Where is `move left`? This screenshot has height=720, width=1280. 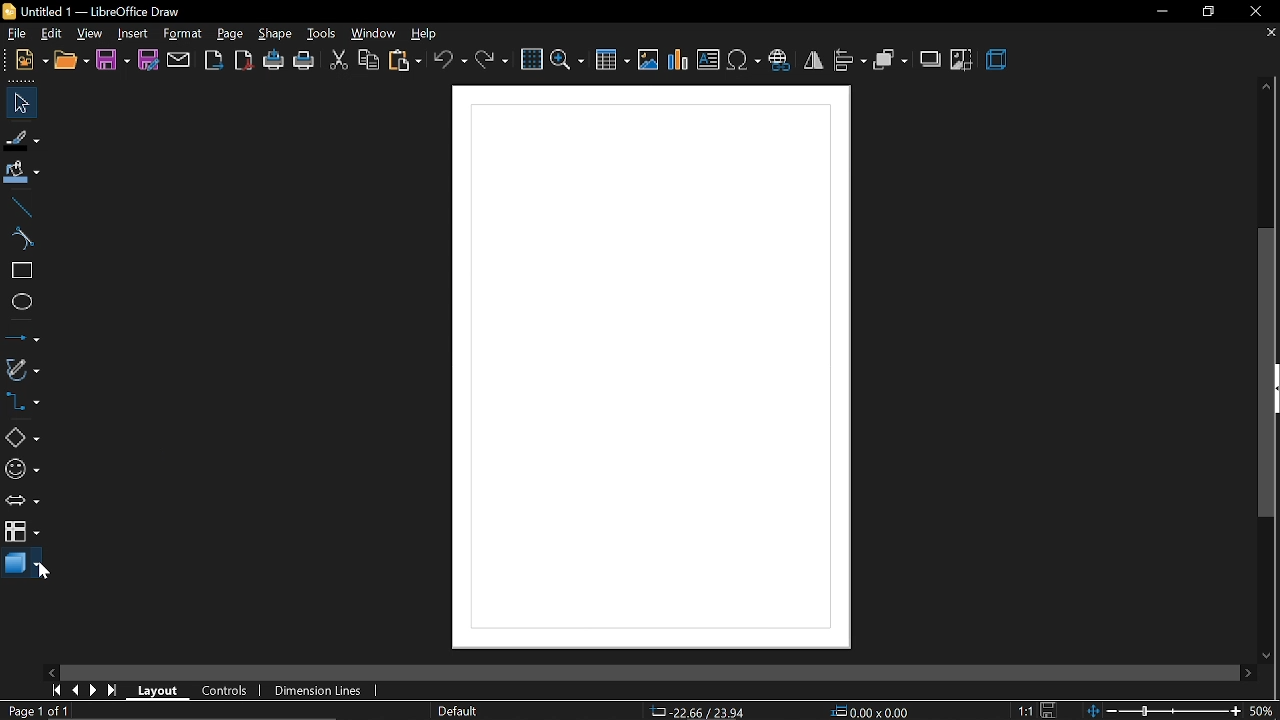 move left is located at coordinates (53, 673).